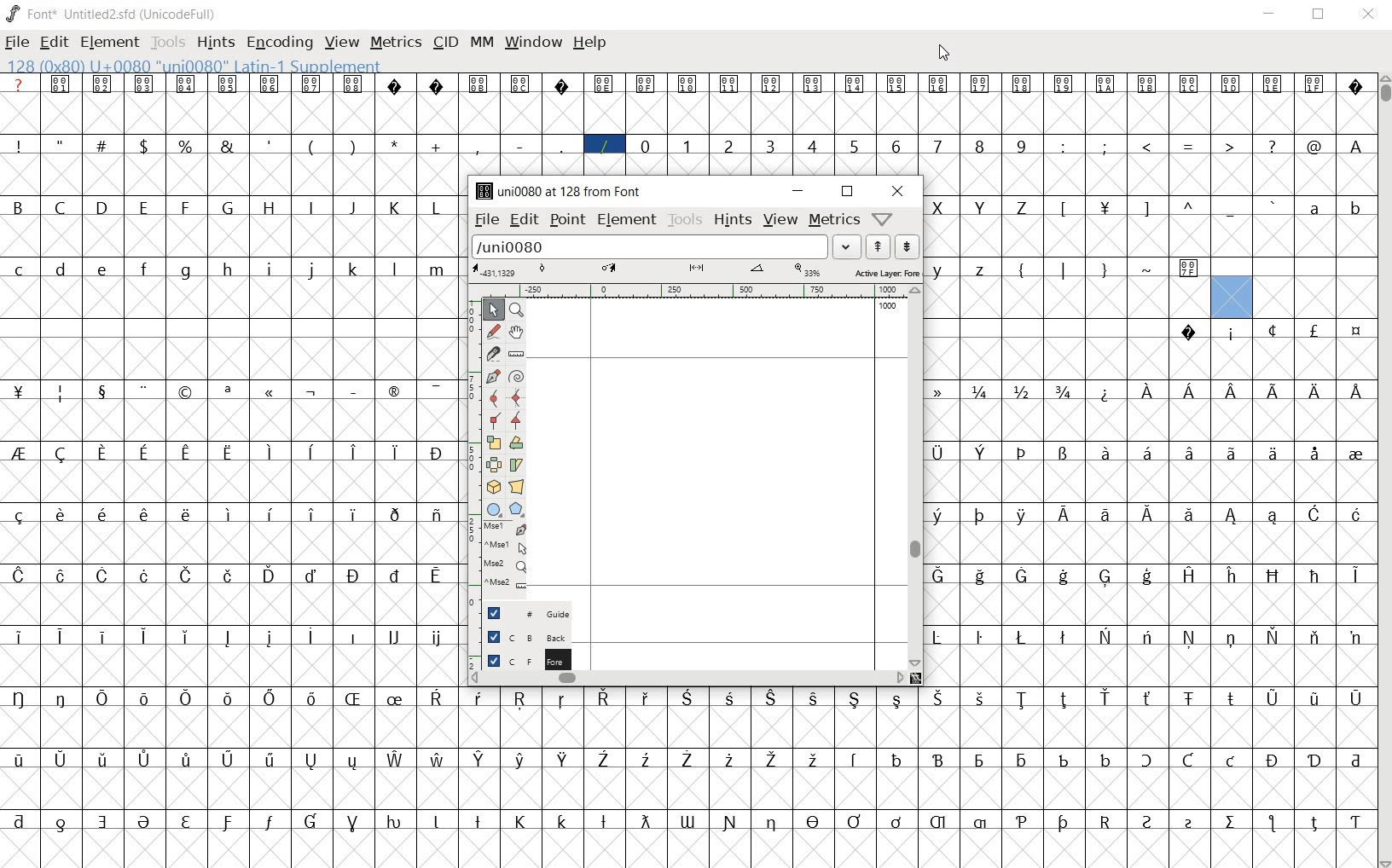 Image resolution: width=1392 pixels, height=868 pixels. Describe the element at coordinates (197, 65) in the screenshot. I see `GLYPHY INFO` at that location.